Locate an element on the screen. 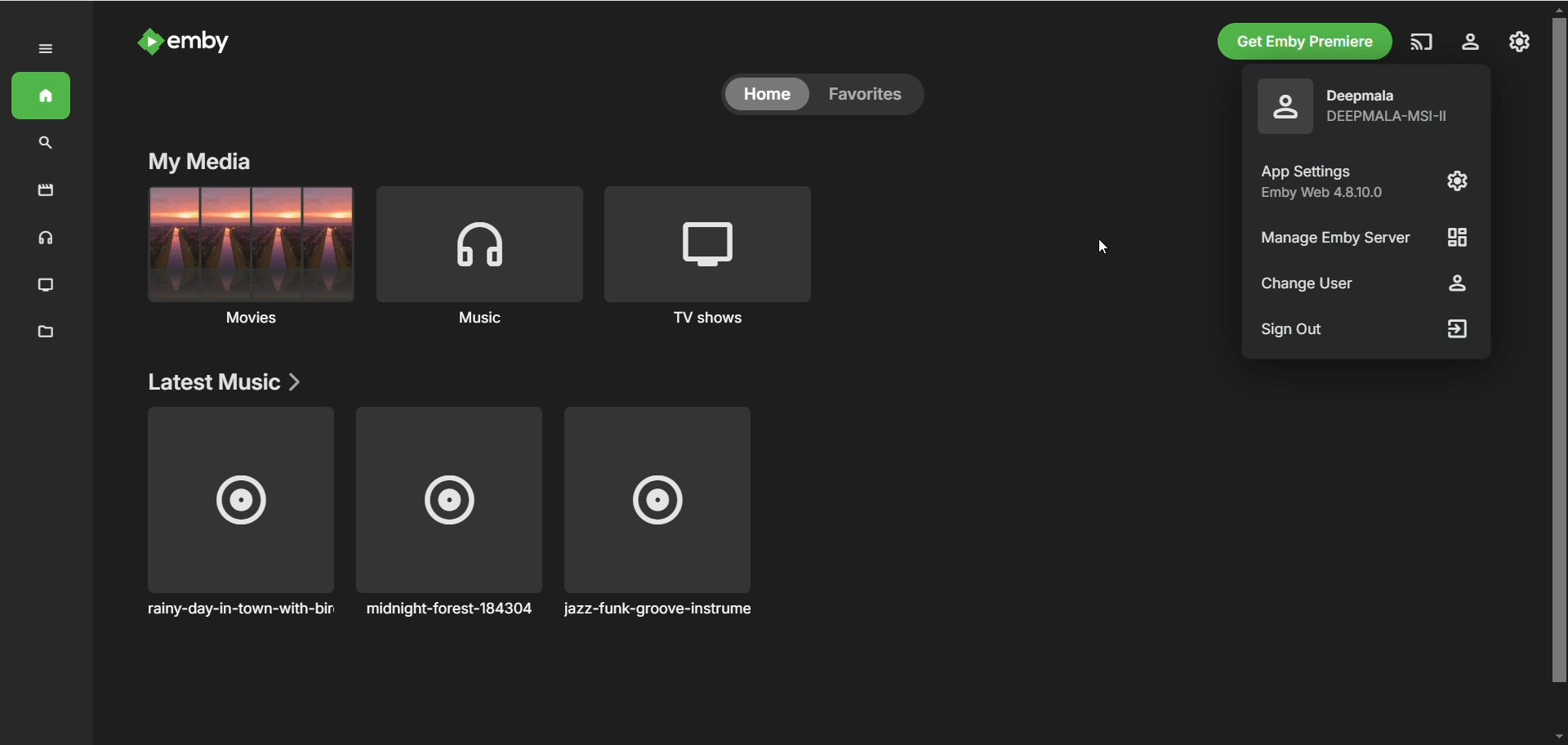 This screenshot has width=1568, height=745. favorites is located at coordinates (871, 96).